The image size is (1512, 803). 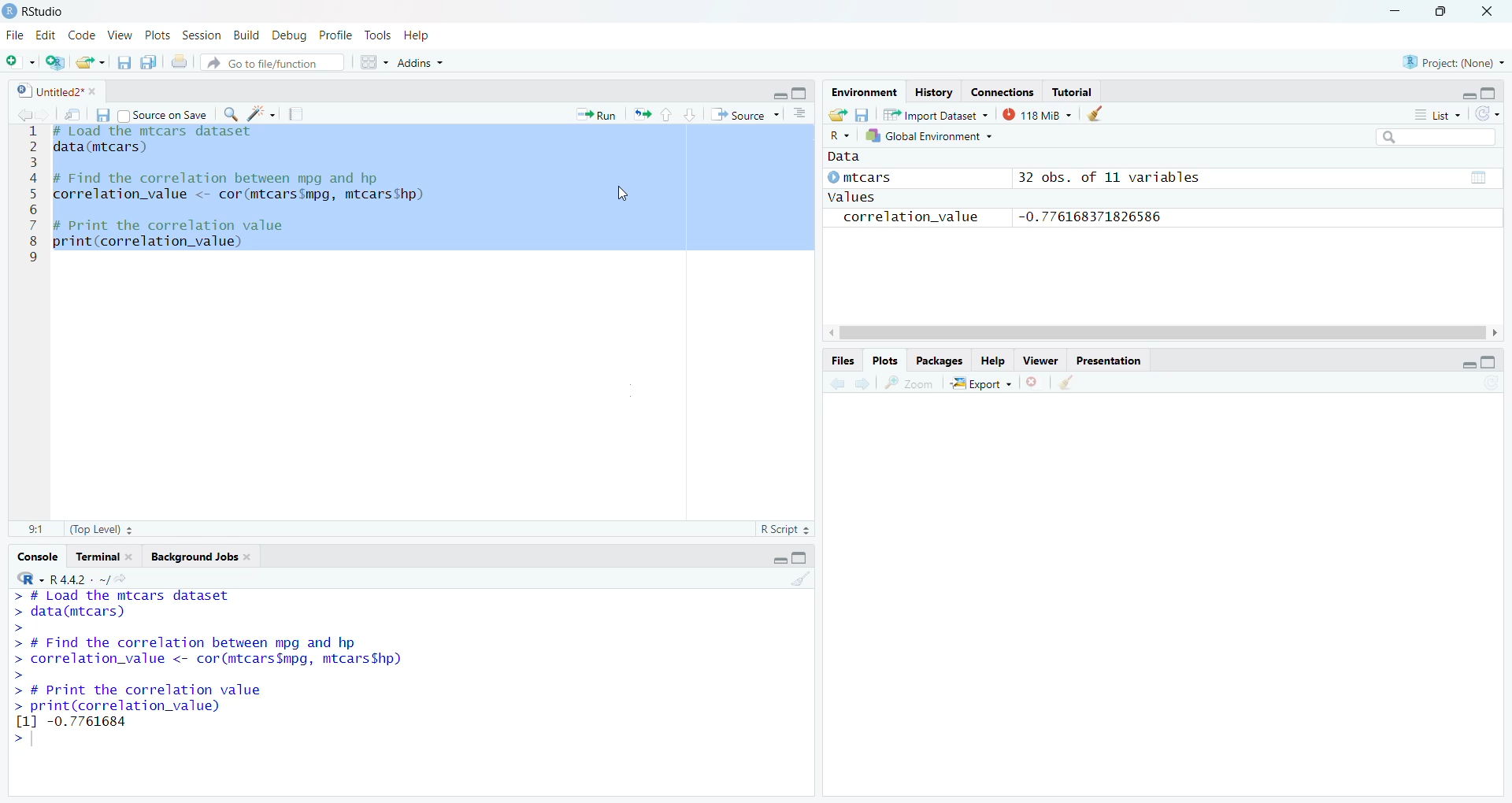 What do you see at coordinates (165, 116) in the screenshot?
I see `Source on Save` at bounding box center [165, 116].